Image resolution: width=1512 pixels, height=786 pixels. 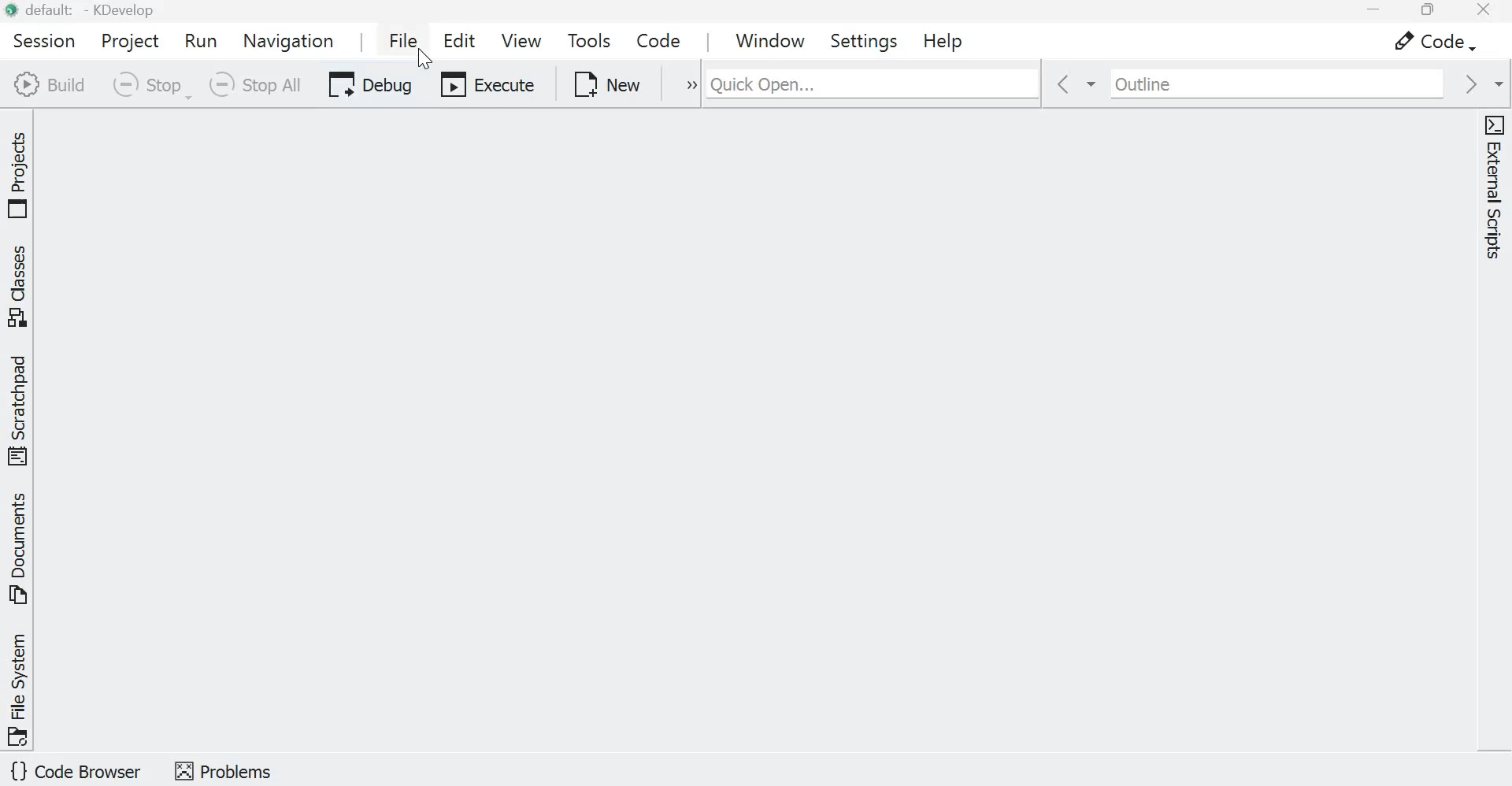 I want to click on more options, so click(x=680, y=85).